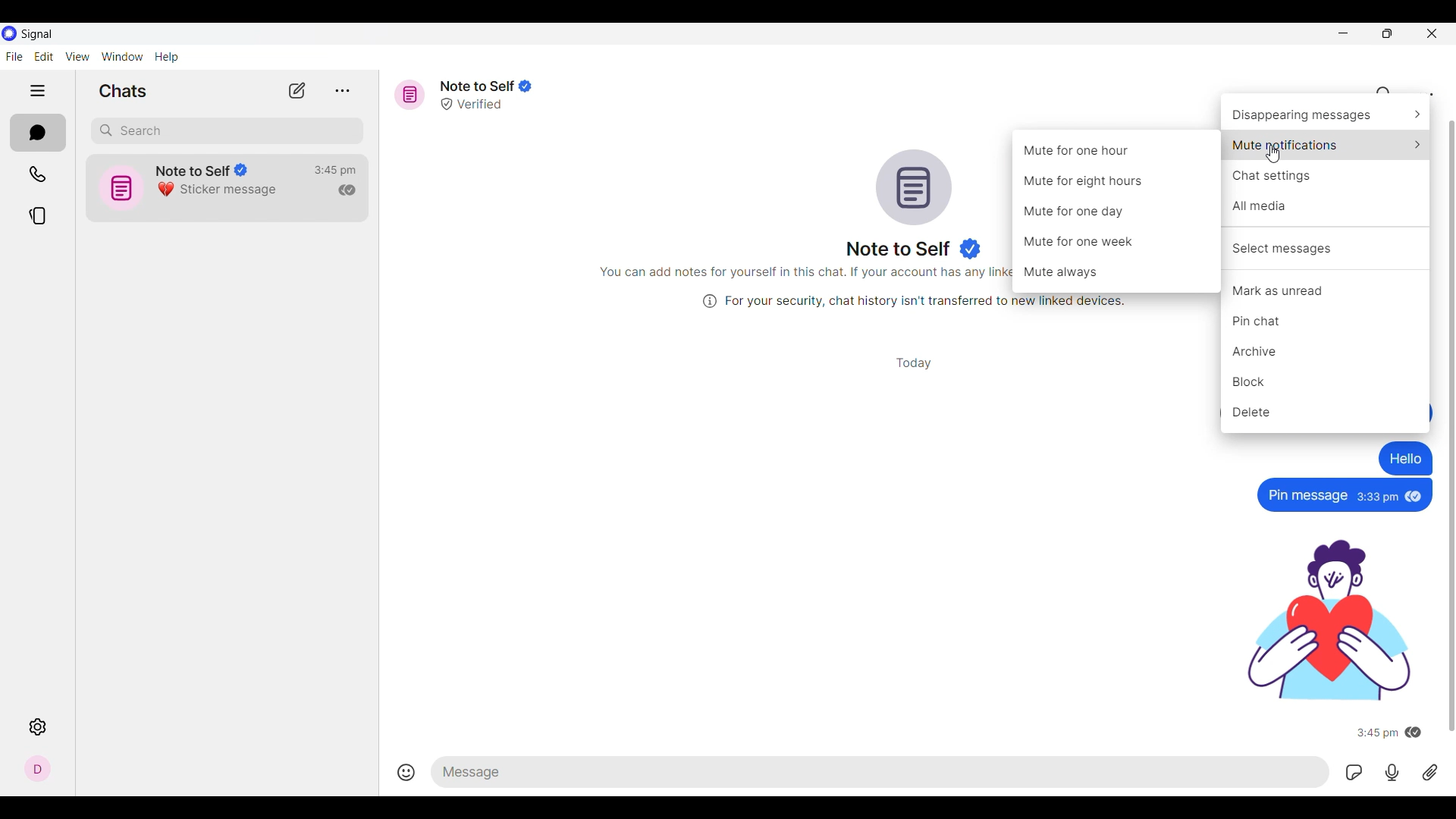 This screenshot has width=1456, height=819. What do you see at coordinates (1385, 94) in the screenshot?
I see `Search chat` at bounding box center [1385, 94].